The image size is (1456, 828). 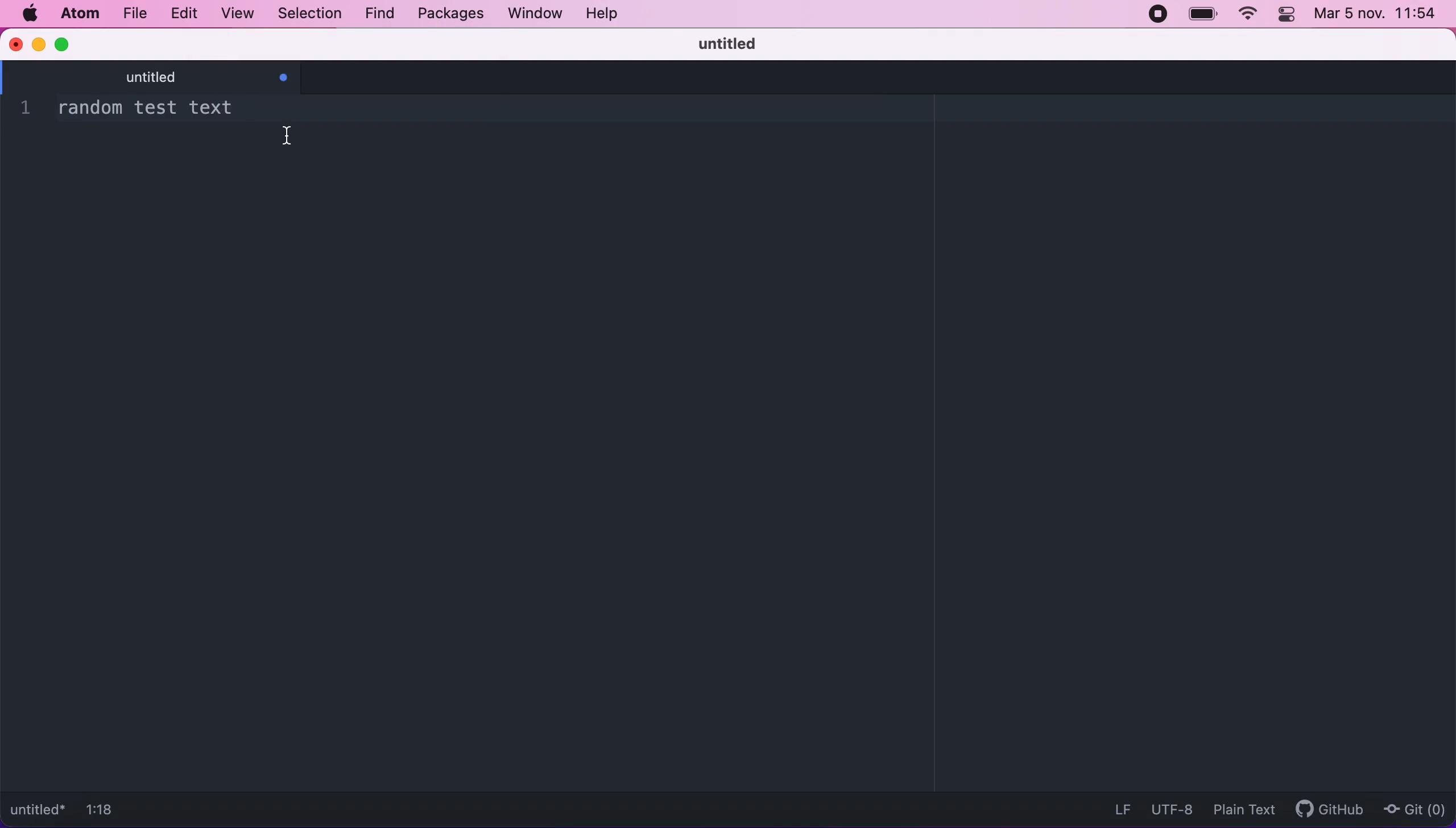 I want to click on file title, so click(x=39, y=812).